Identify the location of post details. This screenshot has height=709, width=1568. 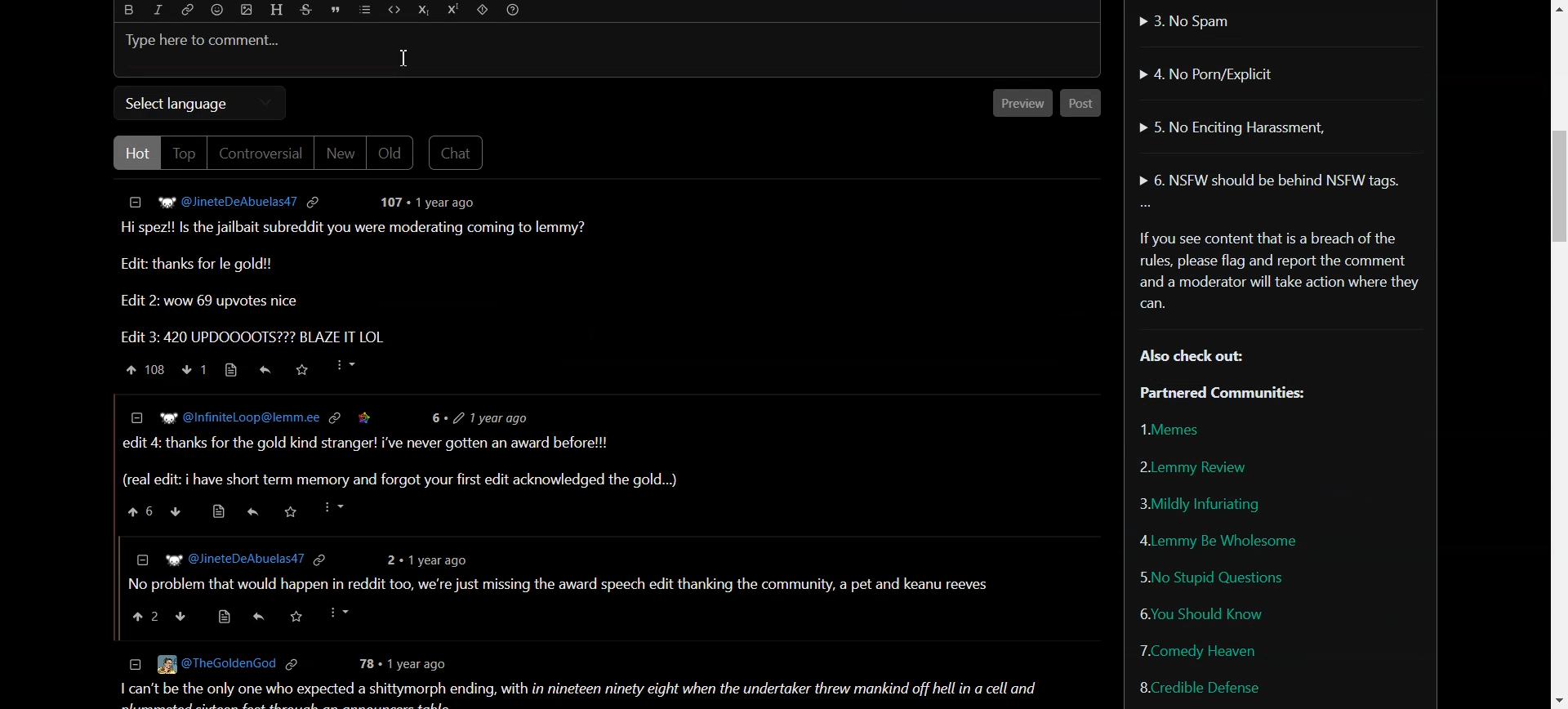
(430, 203).